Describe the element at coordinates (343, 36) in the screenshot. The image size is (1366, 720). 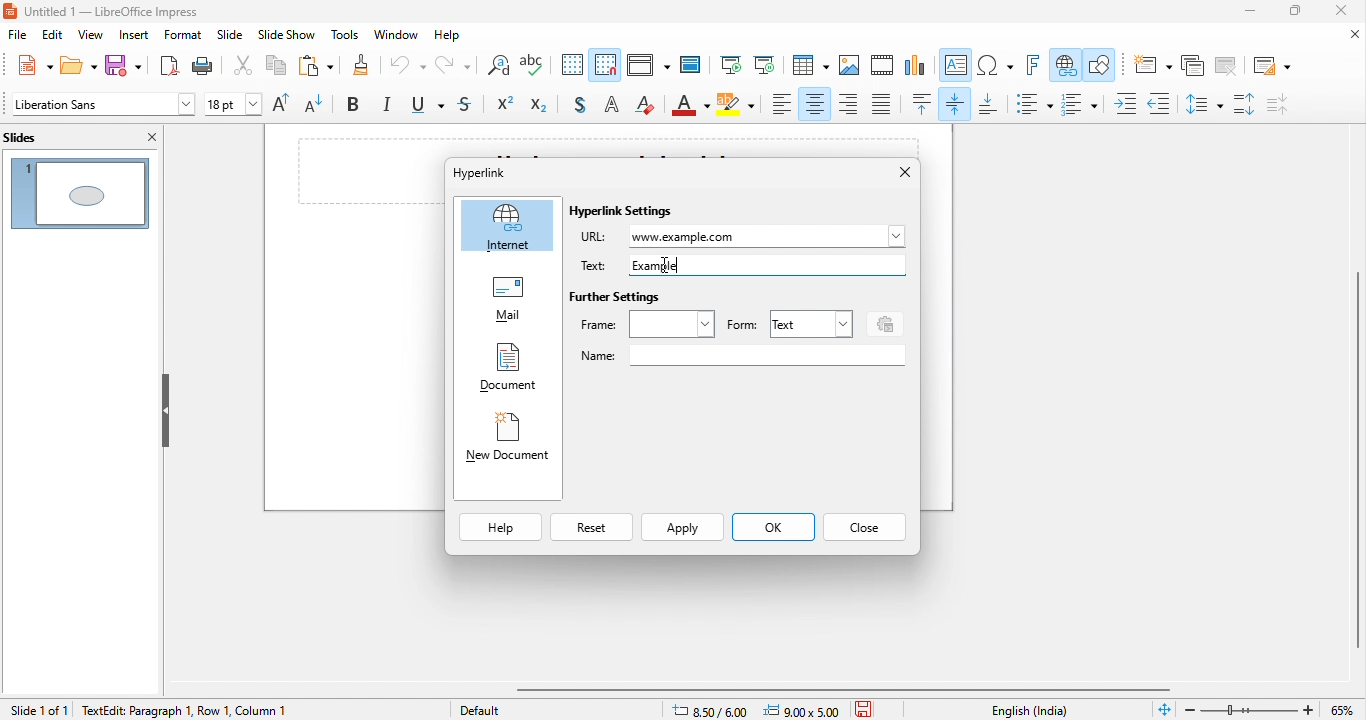
I see `tools` at that location.